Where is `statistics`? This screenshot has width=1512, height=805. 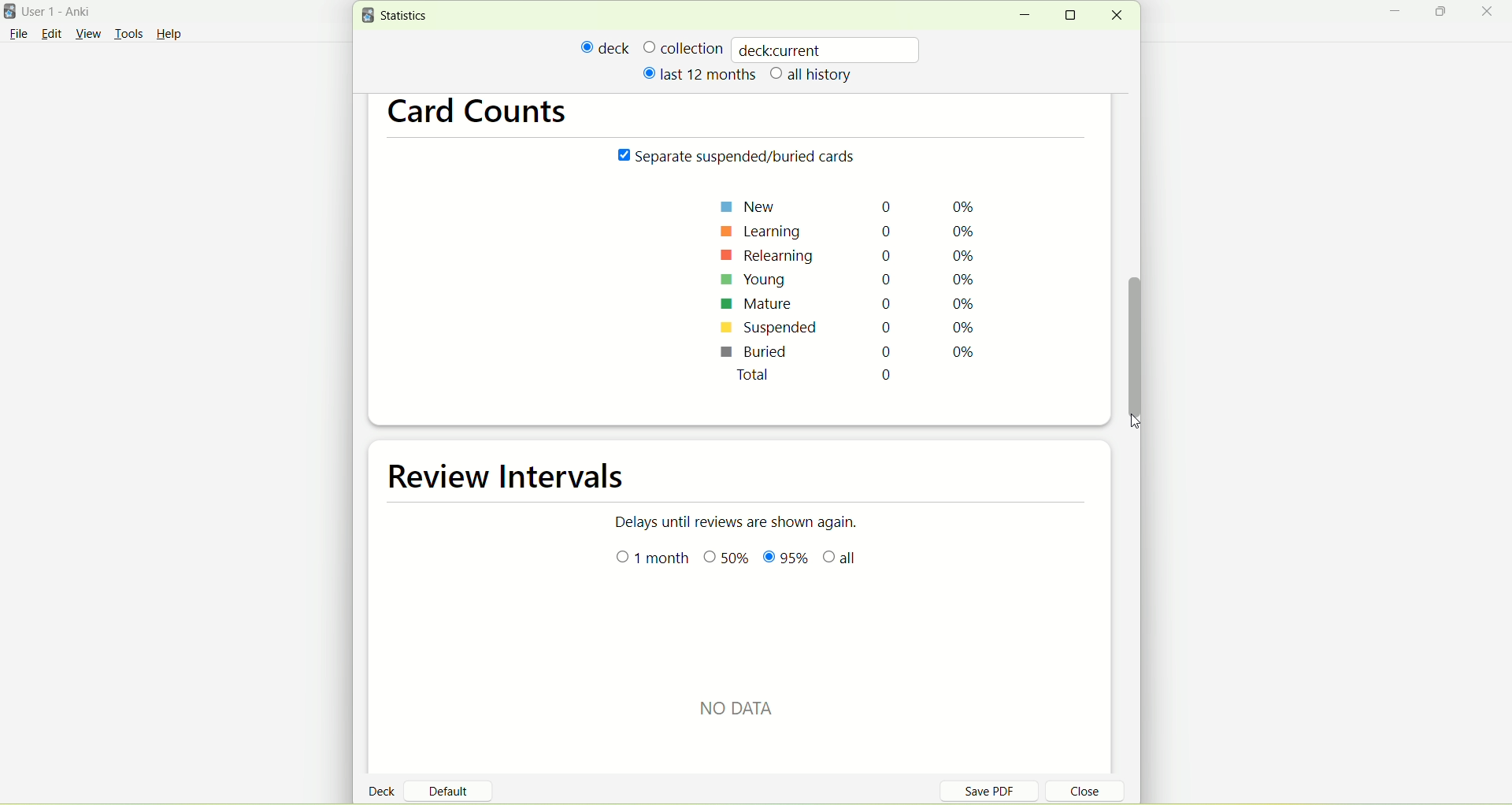 statistics is located at coordinates (398, 16).